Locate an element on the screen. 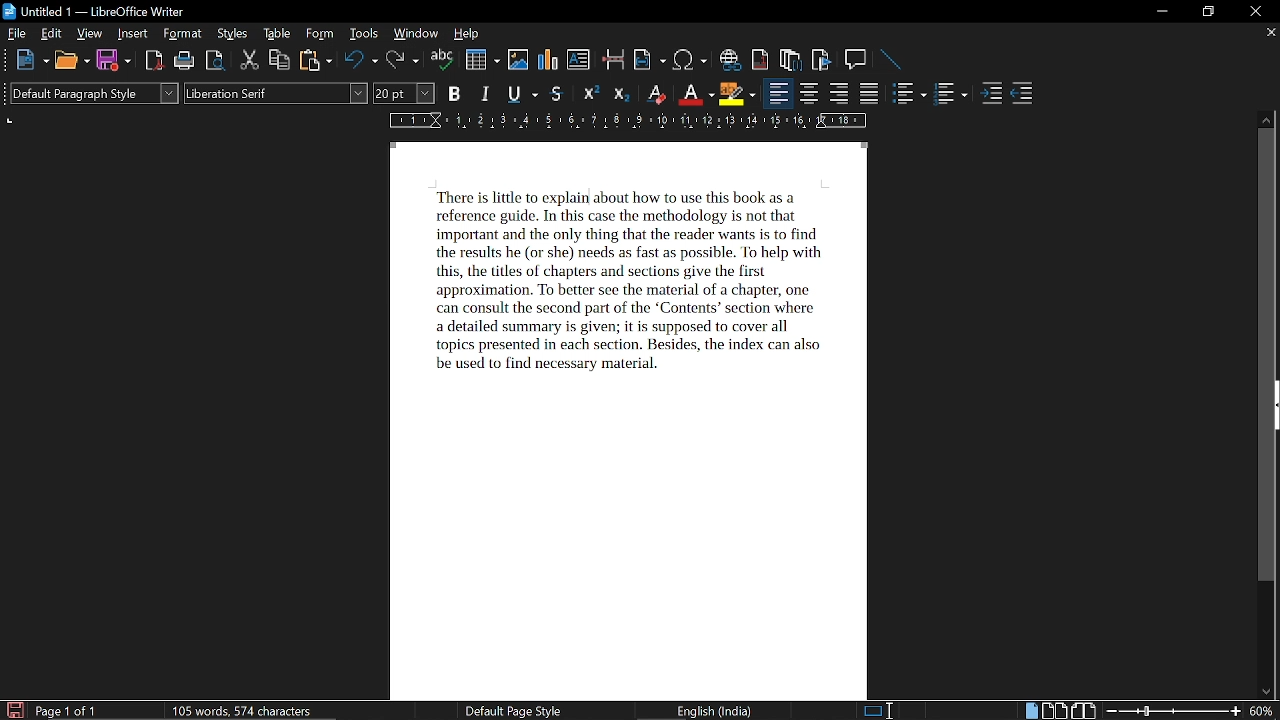  default page style is located at coordinates (512, 711).